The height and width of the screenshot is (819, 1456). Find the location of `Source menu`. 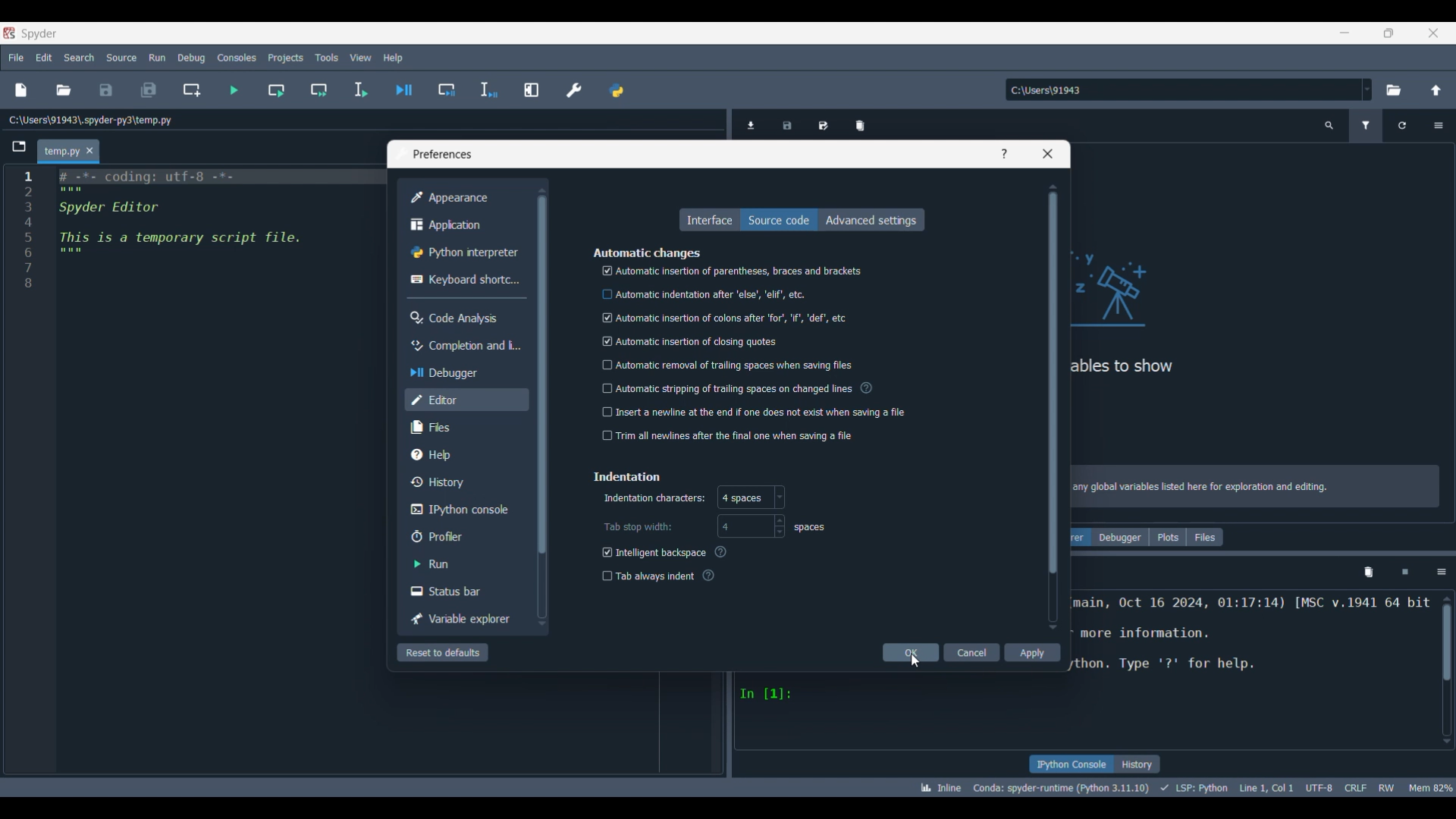

Source menu is located at coordinates (121, 58).